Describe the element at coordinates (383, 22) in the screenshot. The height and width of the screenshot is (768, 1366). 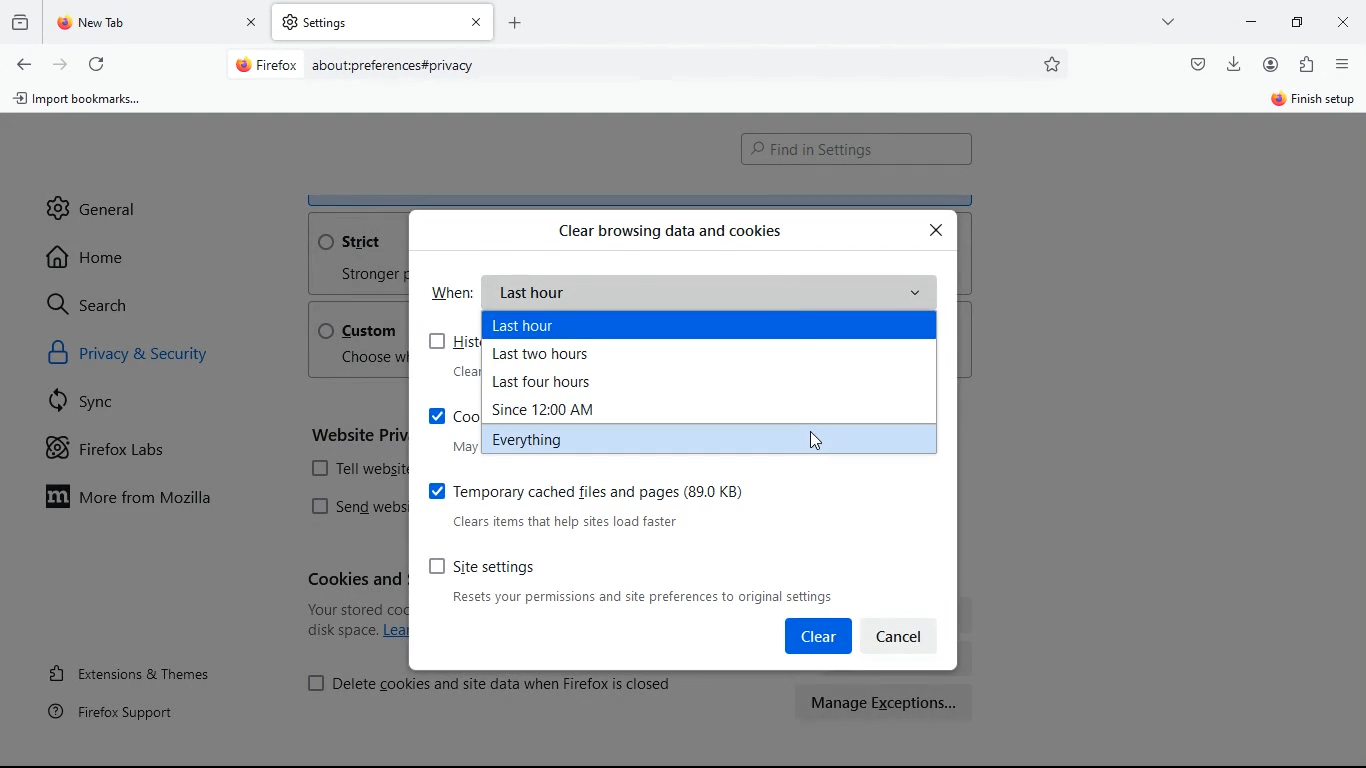
I see `tab` at that location.